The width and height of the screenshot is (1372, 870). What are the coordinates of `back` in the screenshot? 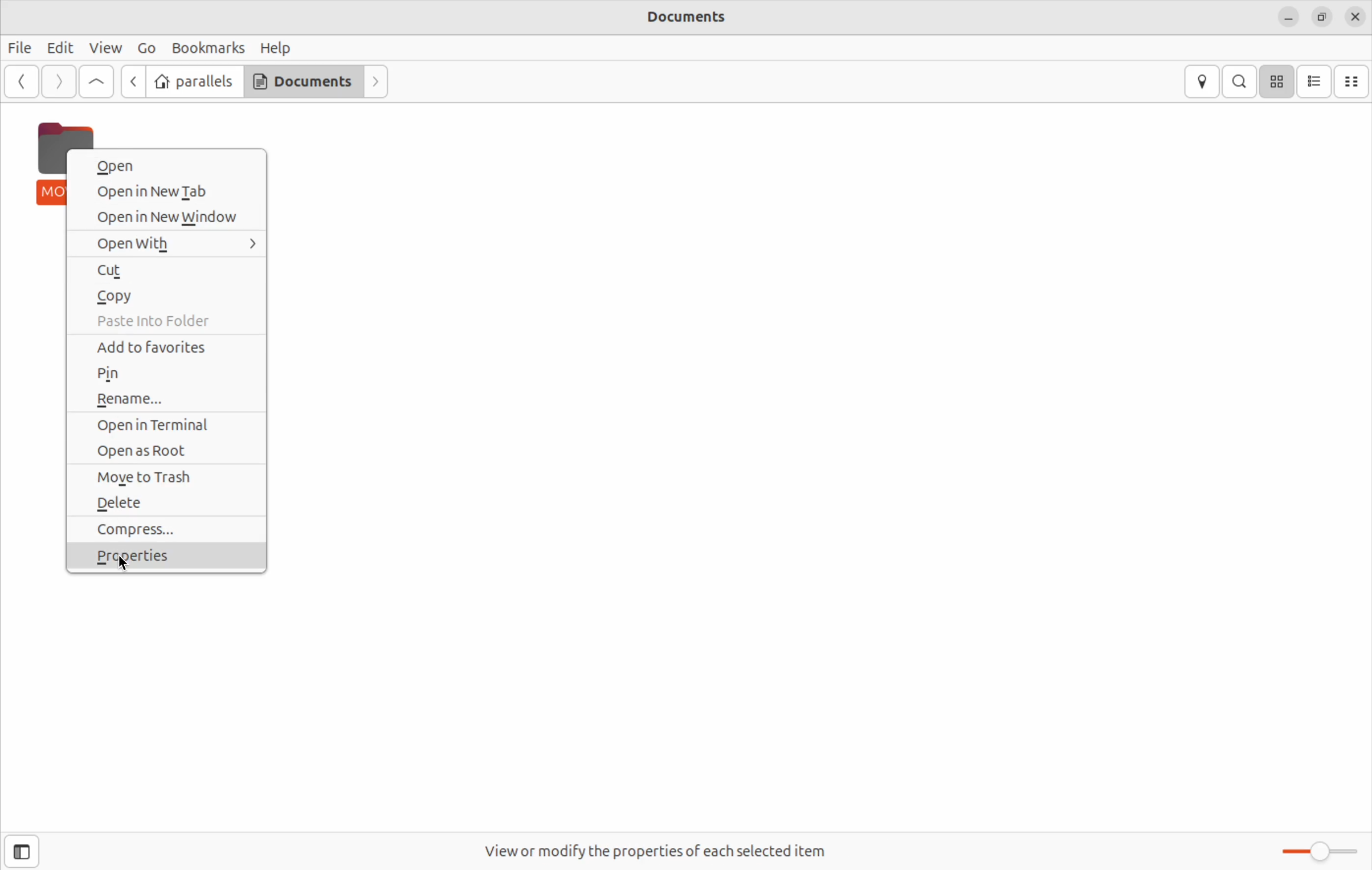 It's located at (134, 78).